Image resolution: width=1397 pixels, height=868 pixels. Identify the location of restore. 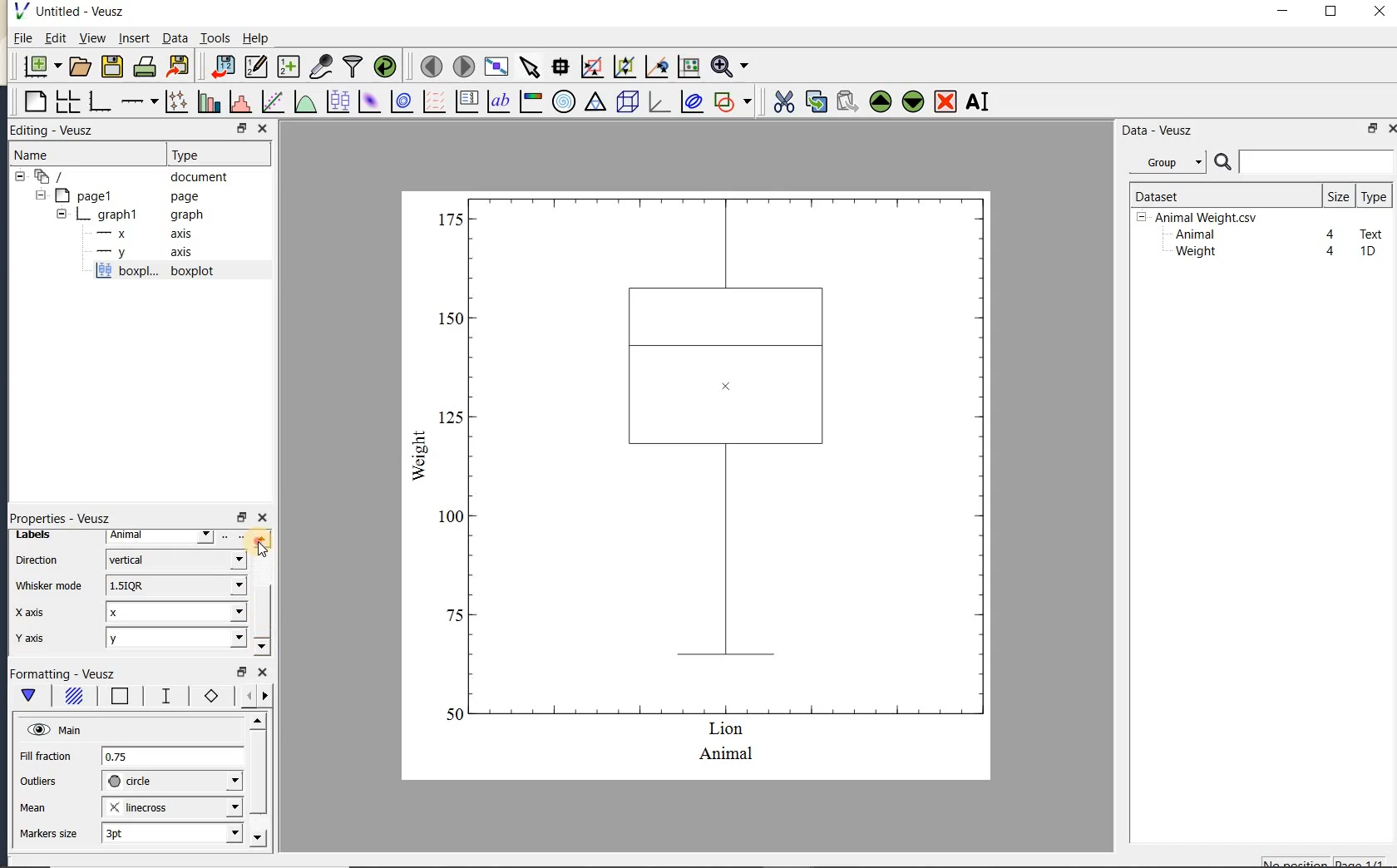
(1374, 128).